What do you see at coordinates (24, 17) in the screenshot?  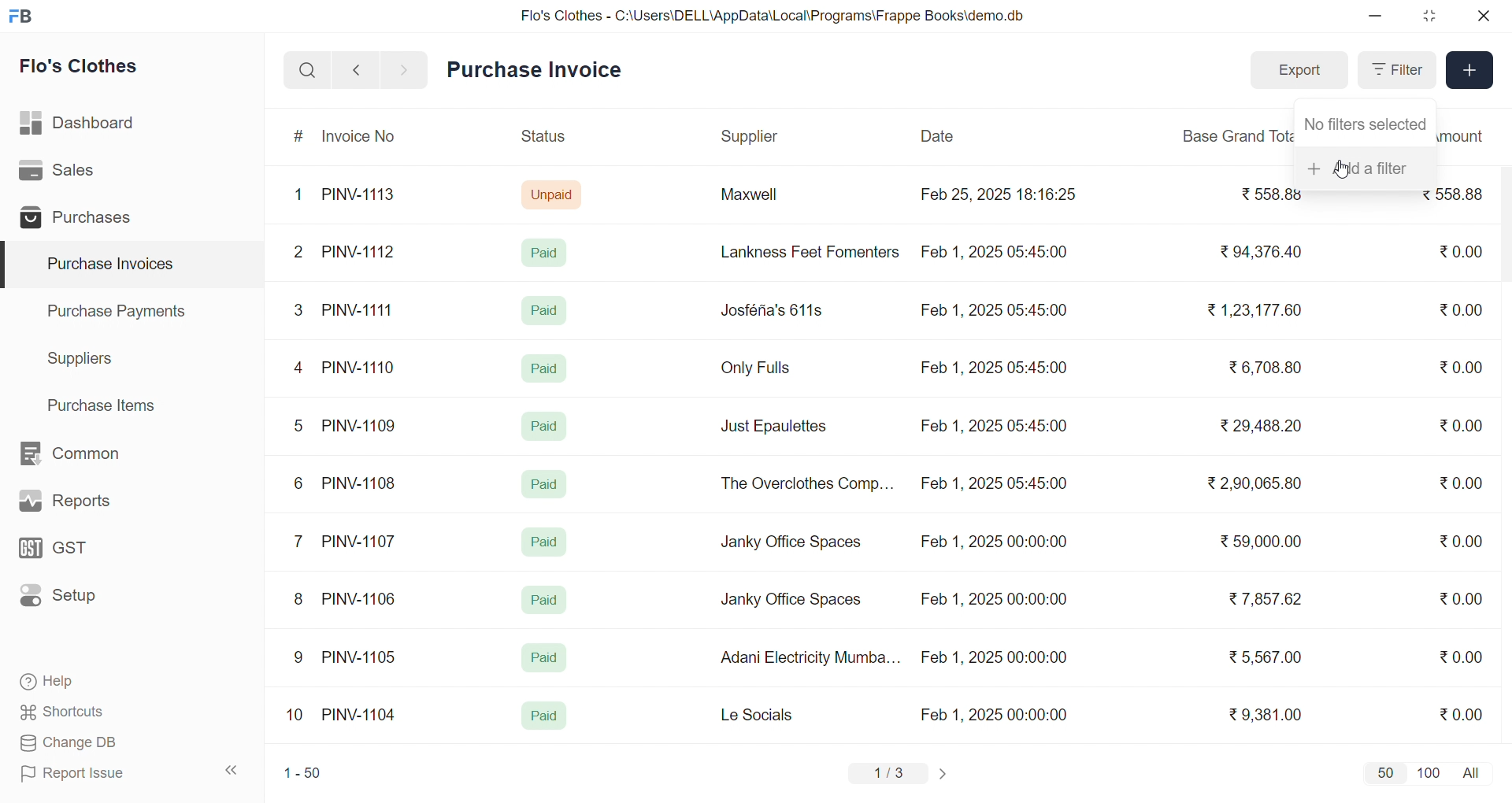 I see `logo` at bounding box center [24, 17].